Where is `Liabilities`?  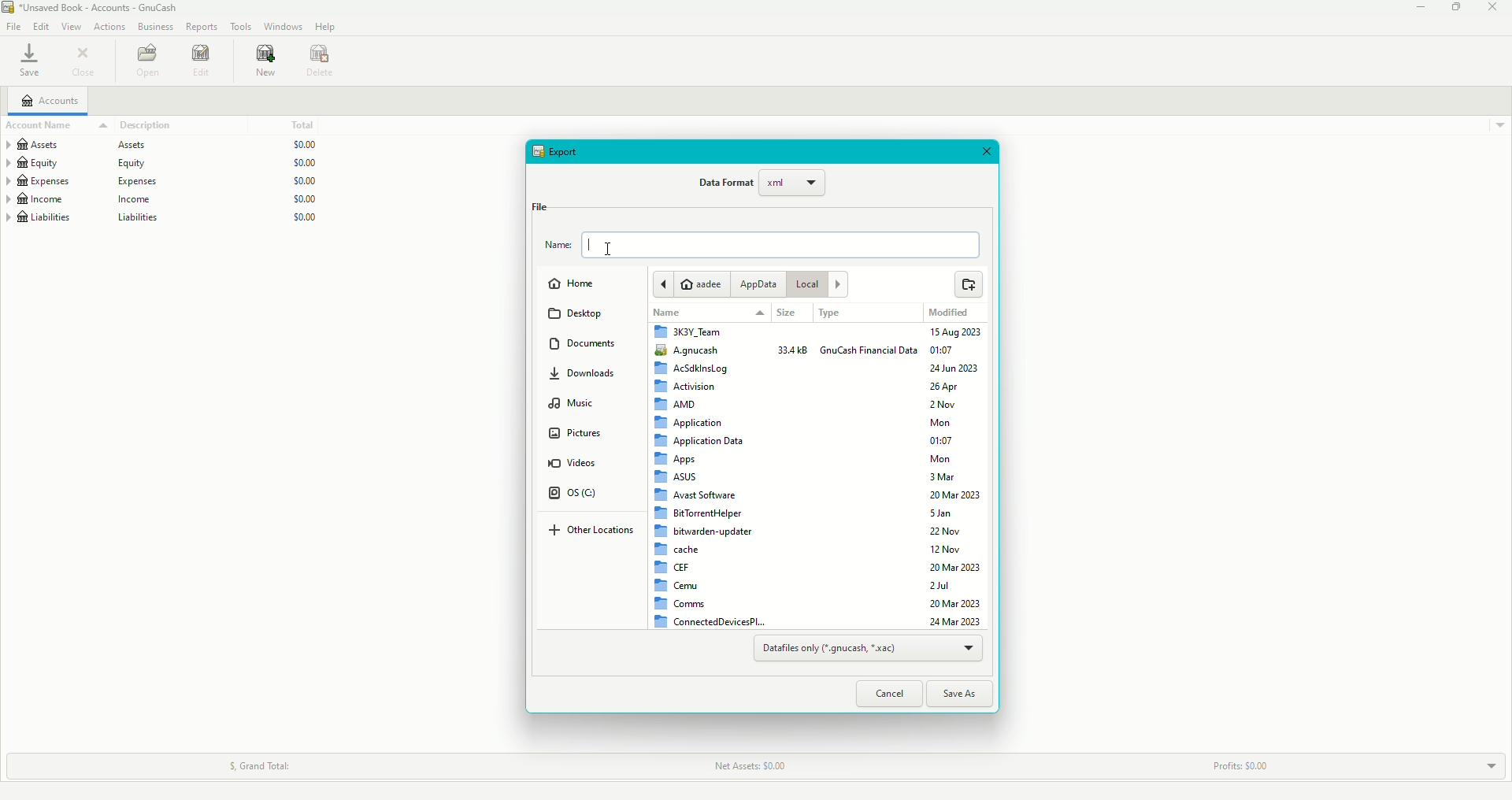 Liabilities is located at coordinates (165, 220).